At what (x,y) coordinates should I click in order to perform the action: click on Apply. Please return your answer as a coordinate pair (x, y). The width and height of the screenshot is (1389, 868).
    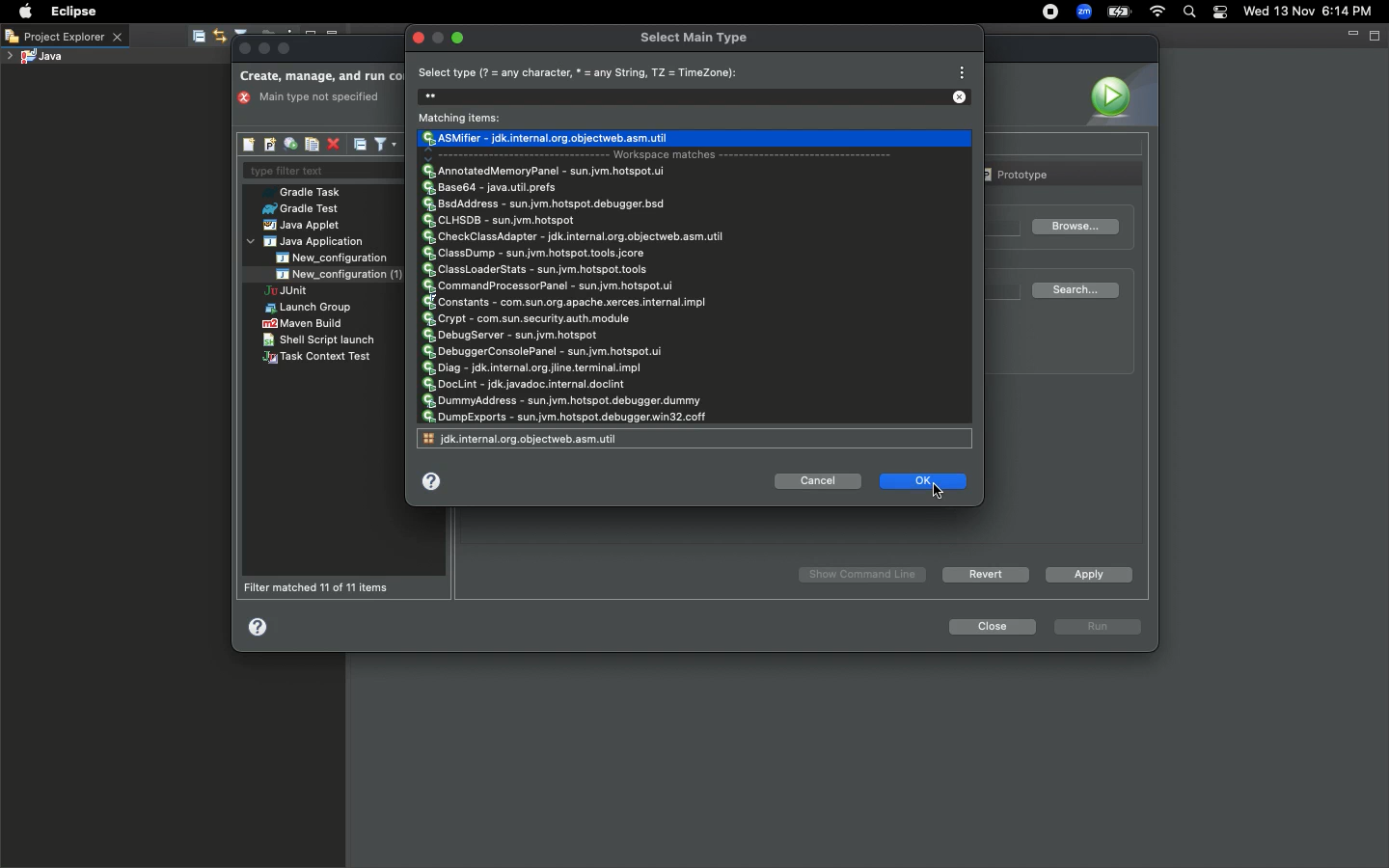
    Looking at the image, I should click on (1085, 574).